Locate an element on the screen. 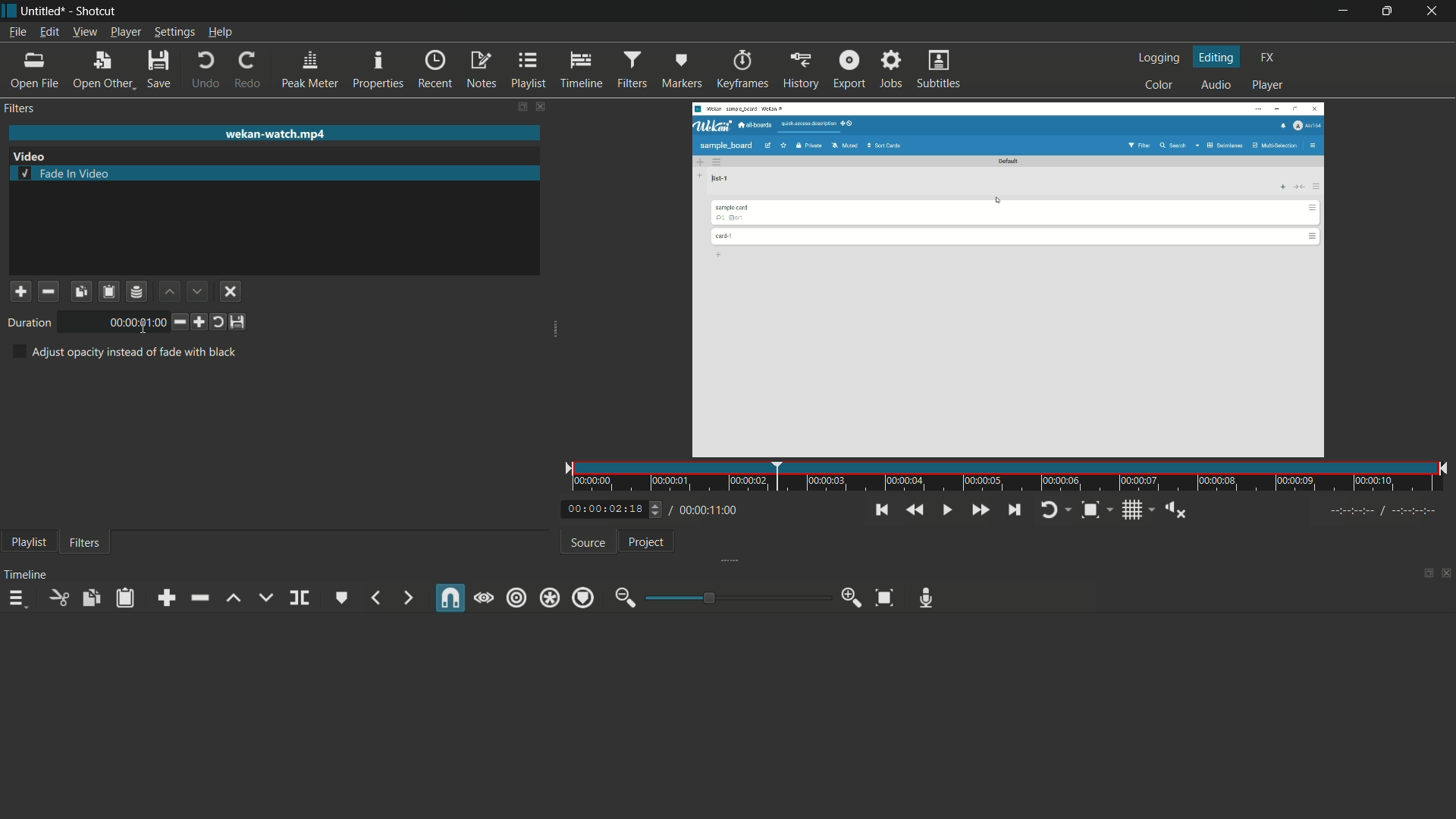 This screenshot has width=1456, height=819. properties is located at coordinates (378, 70).